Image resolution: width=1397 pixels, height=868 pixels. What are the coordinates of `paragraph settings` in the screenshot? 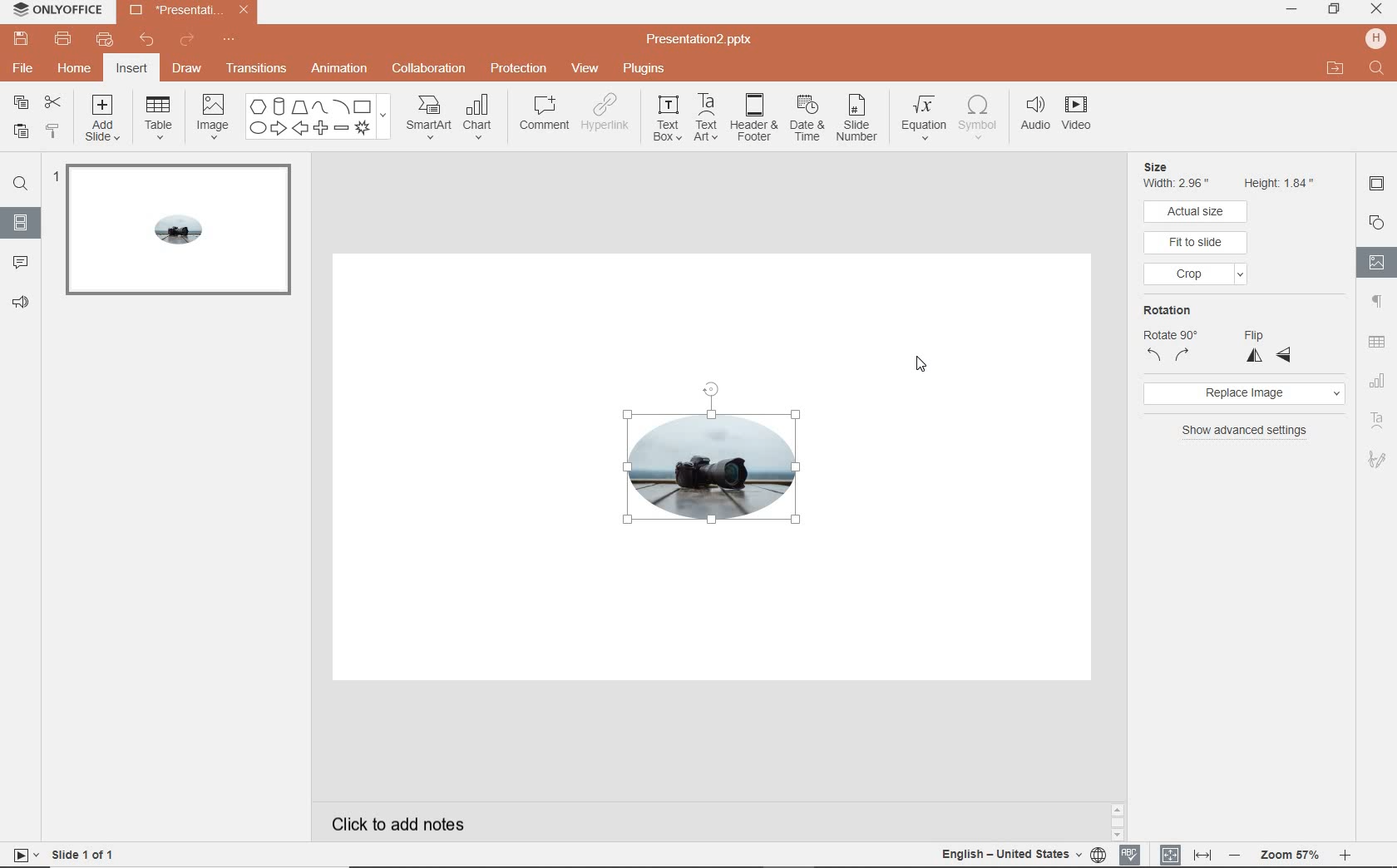 It's located at (1376, 303).